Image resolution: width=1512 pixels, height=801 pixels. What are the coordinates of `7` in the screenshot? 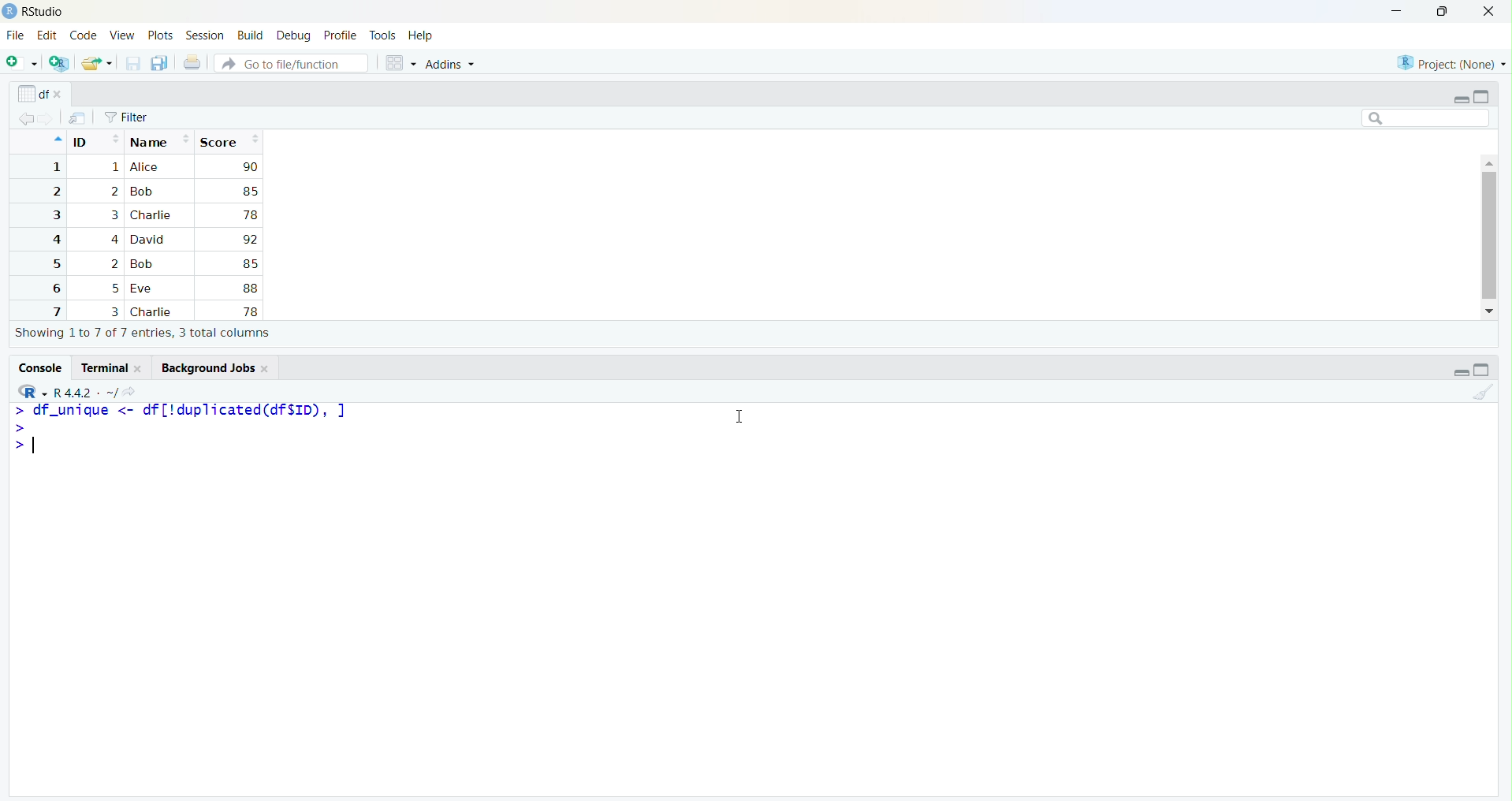 It's located at (54, 311).